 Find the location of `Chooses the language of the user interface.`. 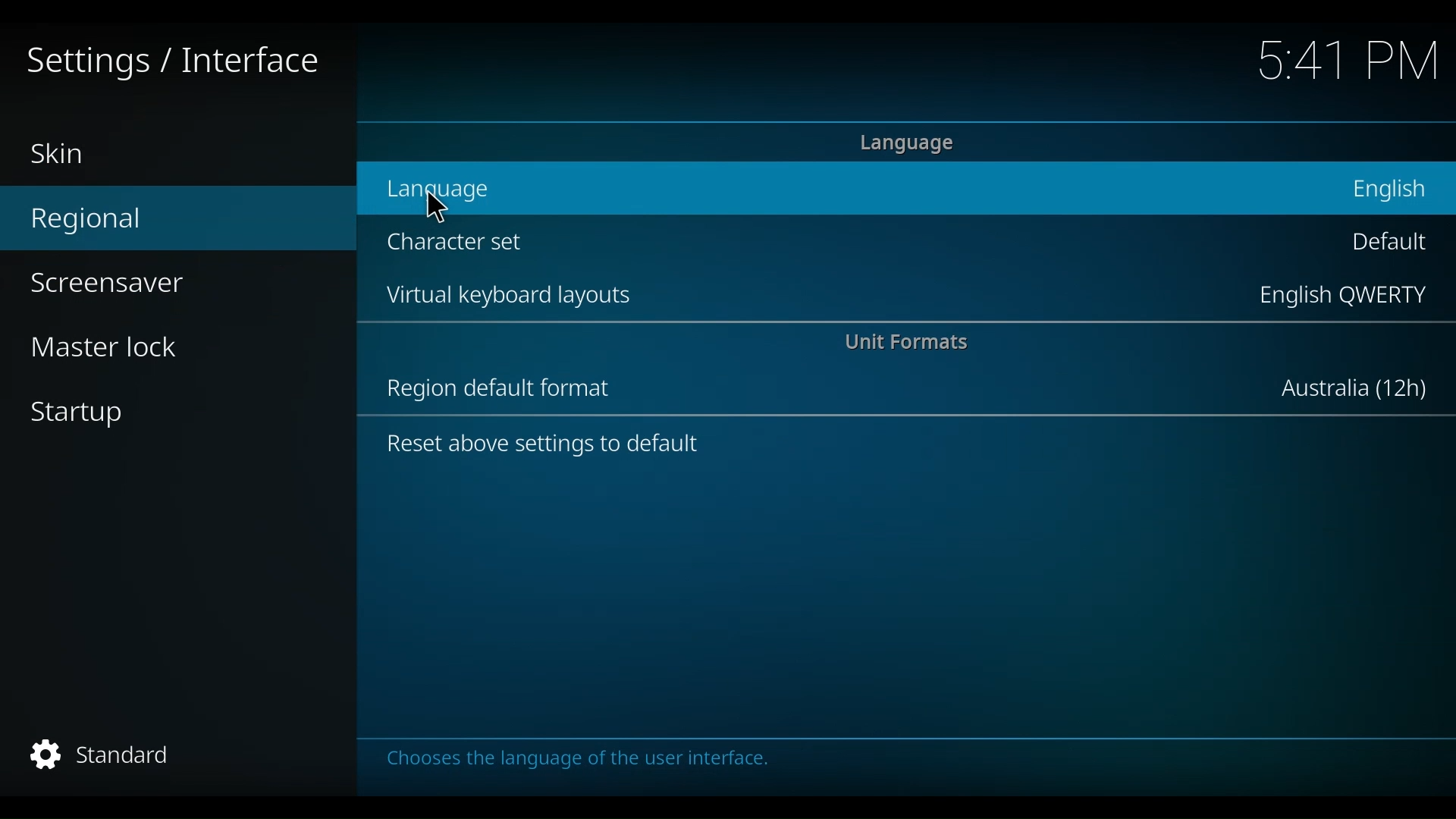

Chooses the language of the user interface. is located at coordinates (594, 762).